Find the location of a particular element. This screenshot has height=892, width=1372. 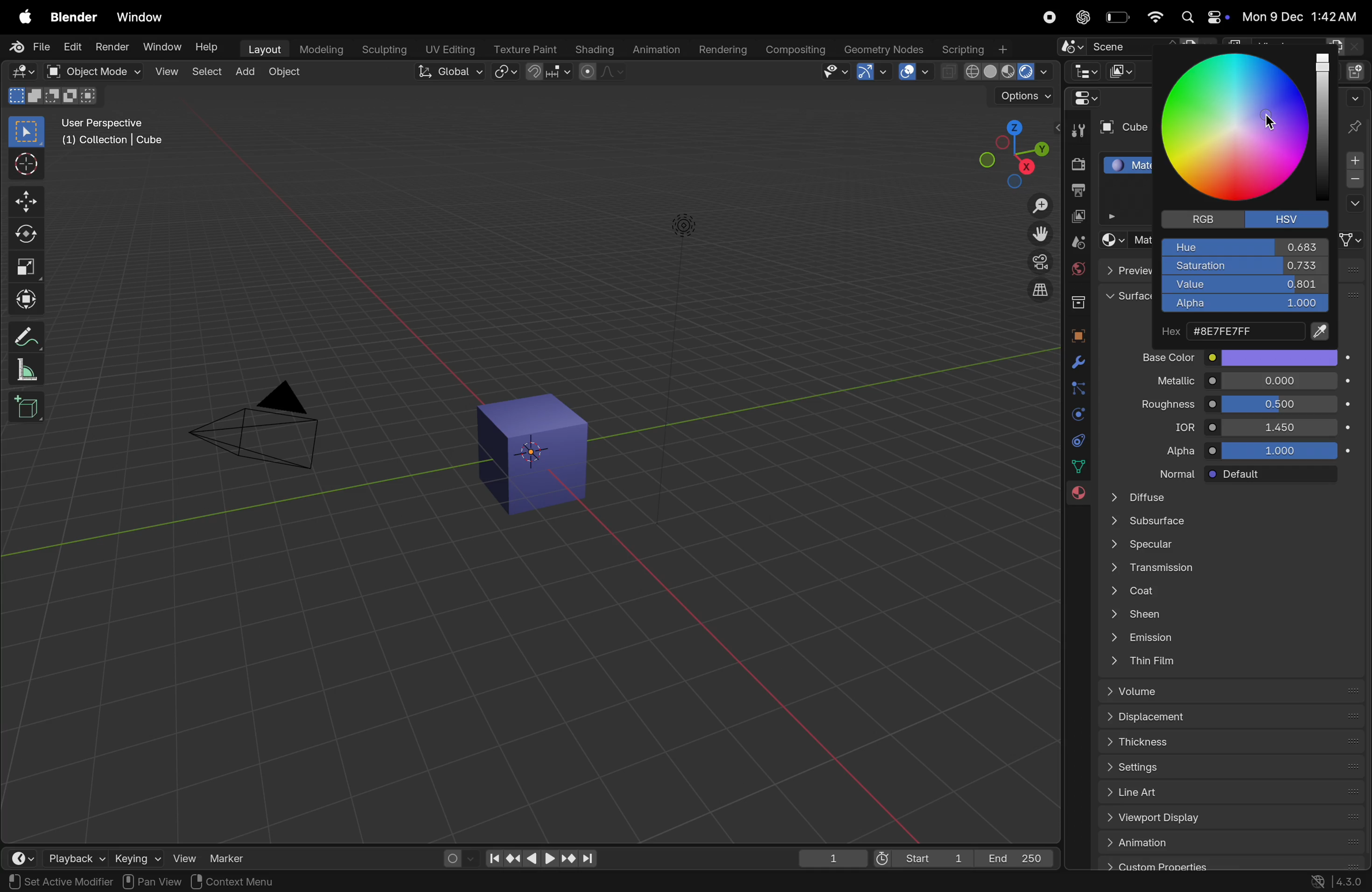

this fan is located at coordinates (1231, 662).